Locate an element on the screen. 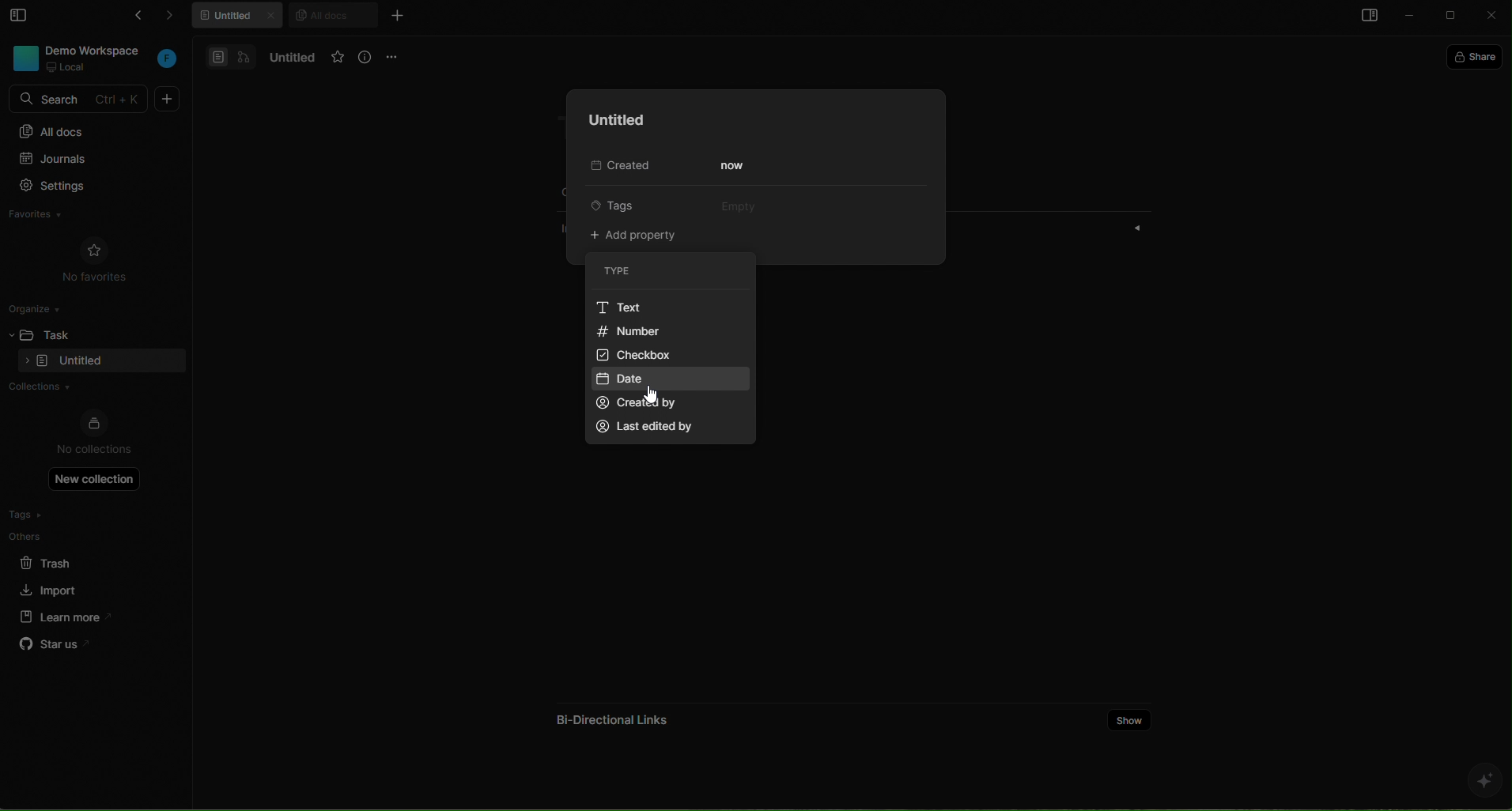 This screenshot has width=1512, height=811. trash is located at coordinates (59, 560).